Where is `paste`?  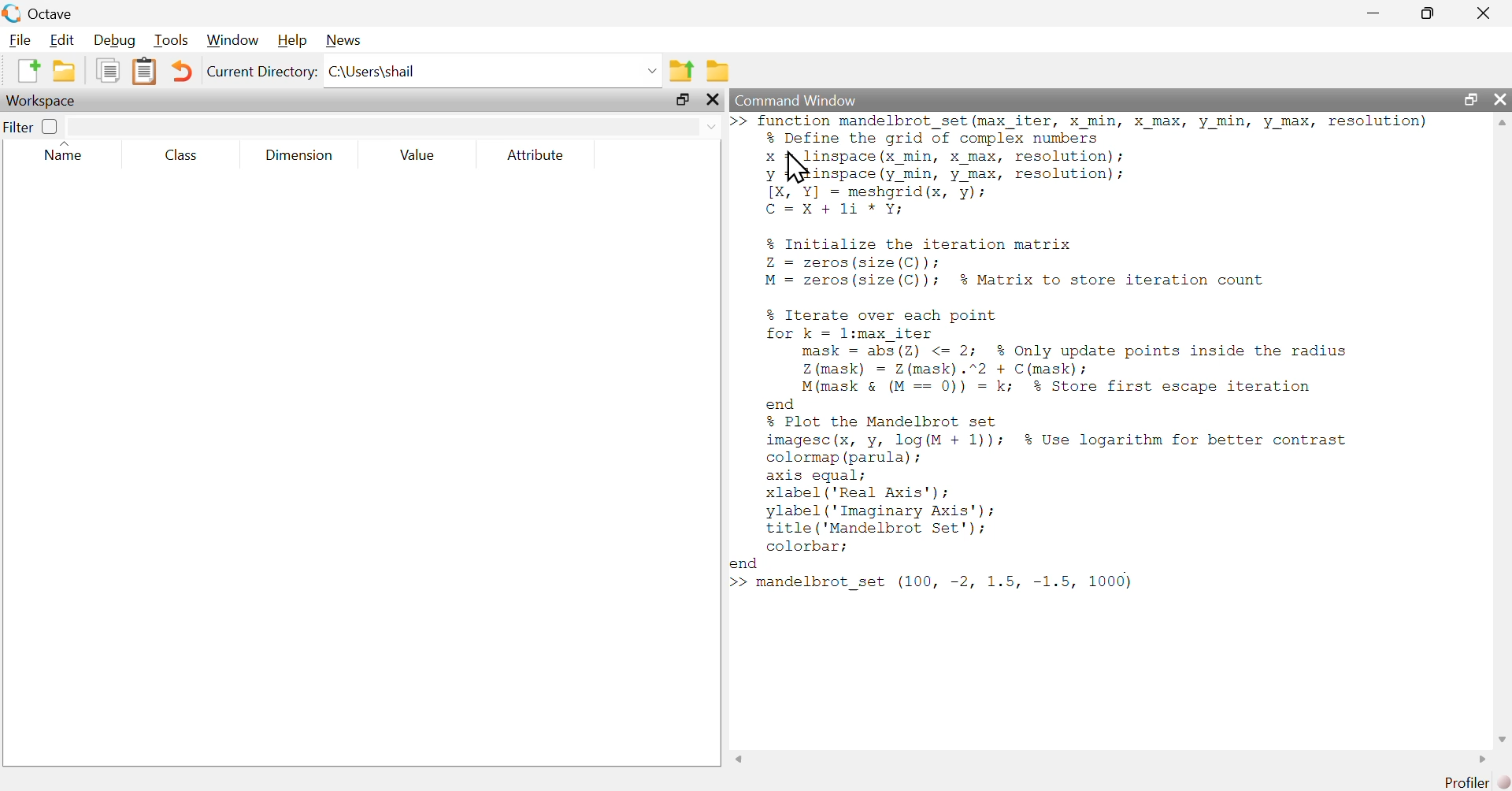
paste is located at coordinates (146, 70).